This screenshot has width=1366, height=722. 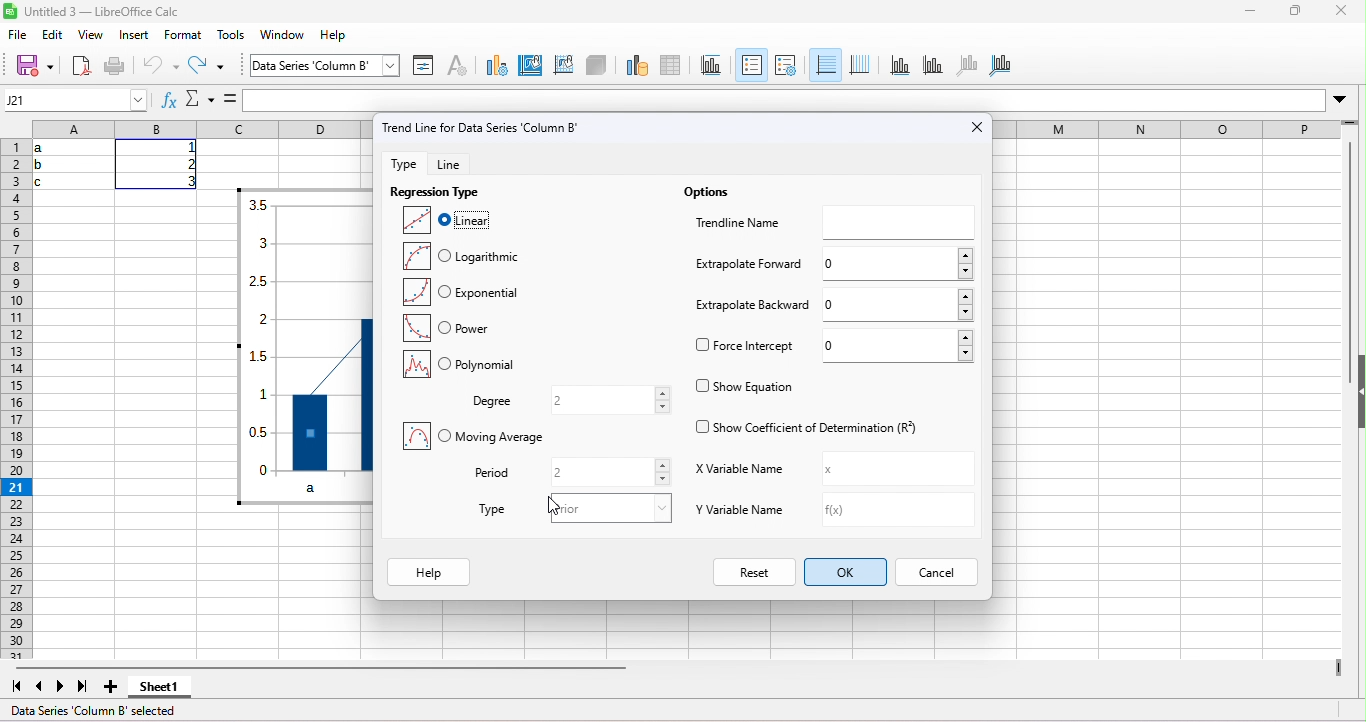 What do you see at coordinates (370, 397) in the screenshot?
I see `data point 2` at bounding box center [370, 397].